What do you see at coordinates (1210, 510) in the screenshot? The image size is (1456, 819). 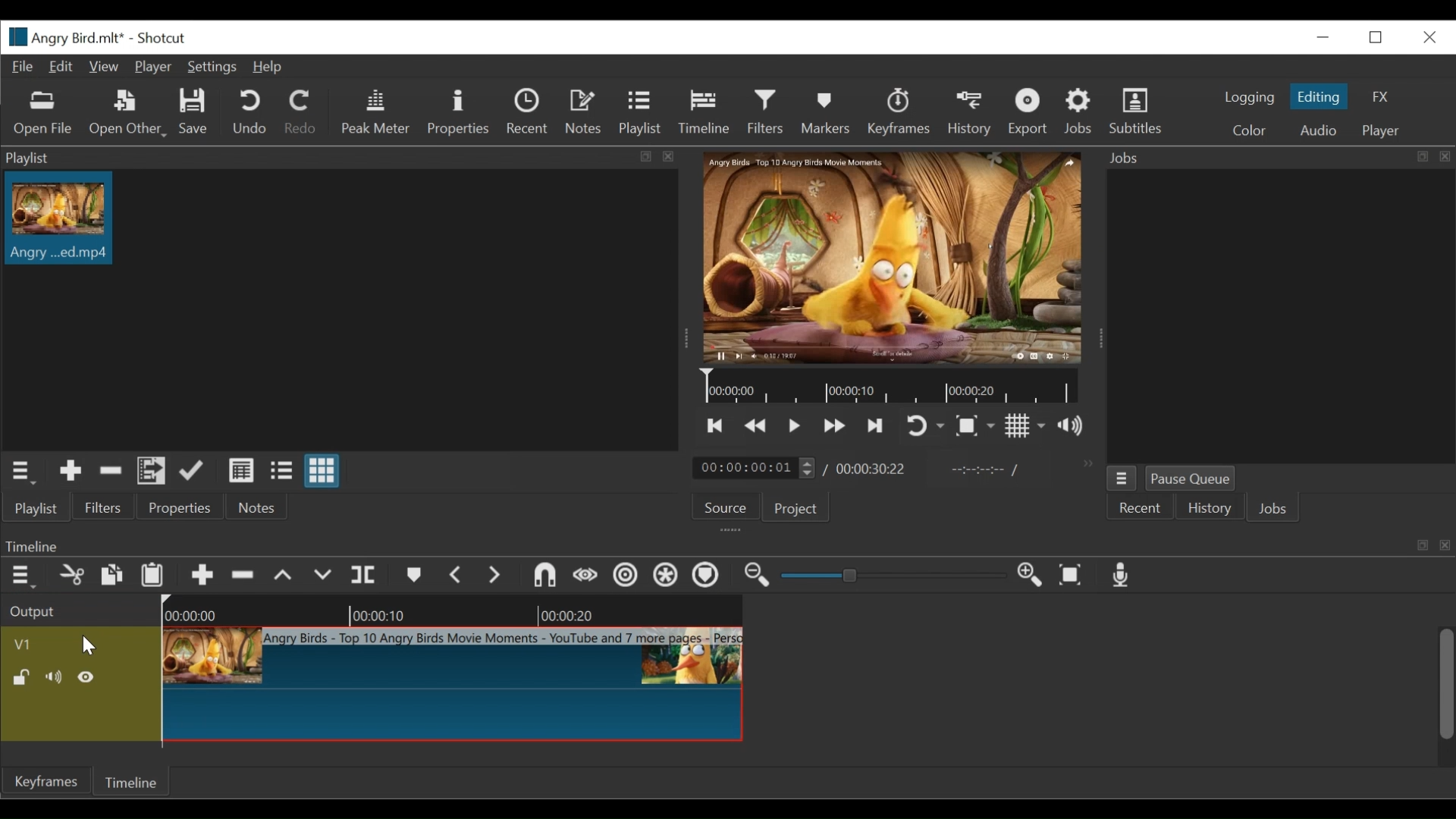 I see `History` at bounding box center [1210, 510].